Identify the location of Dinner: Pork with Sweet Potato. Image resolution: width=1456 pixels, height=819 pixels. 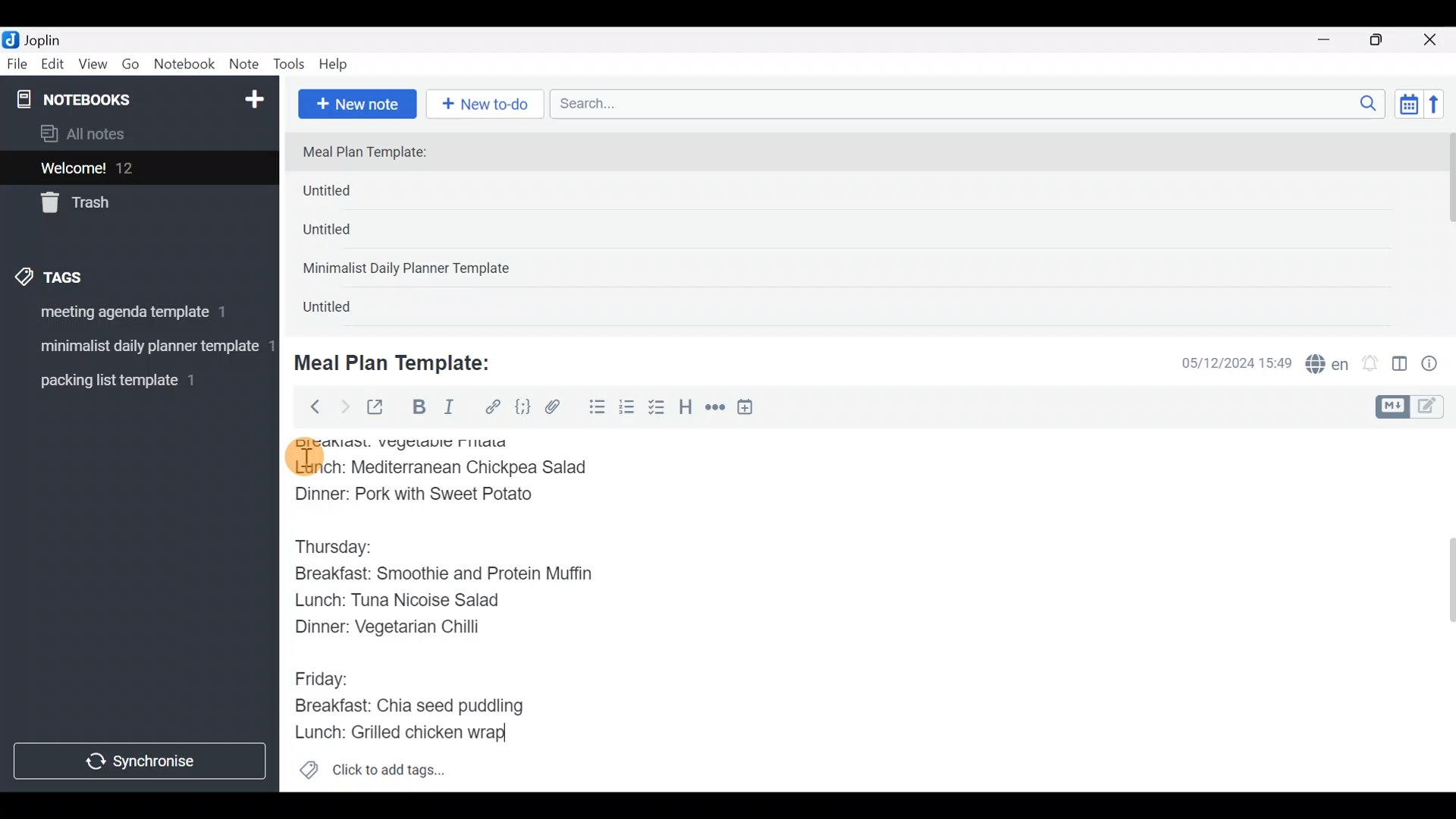
(431, 494).